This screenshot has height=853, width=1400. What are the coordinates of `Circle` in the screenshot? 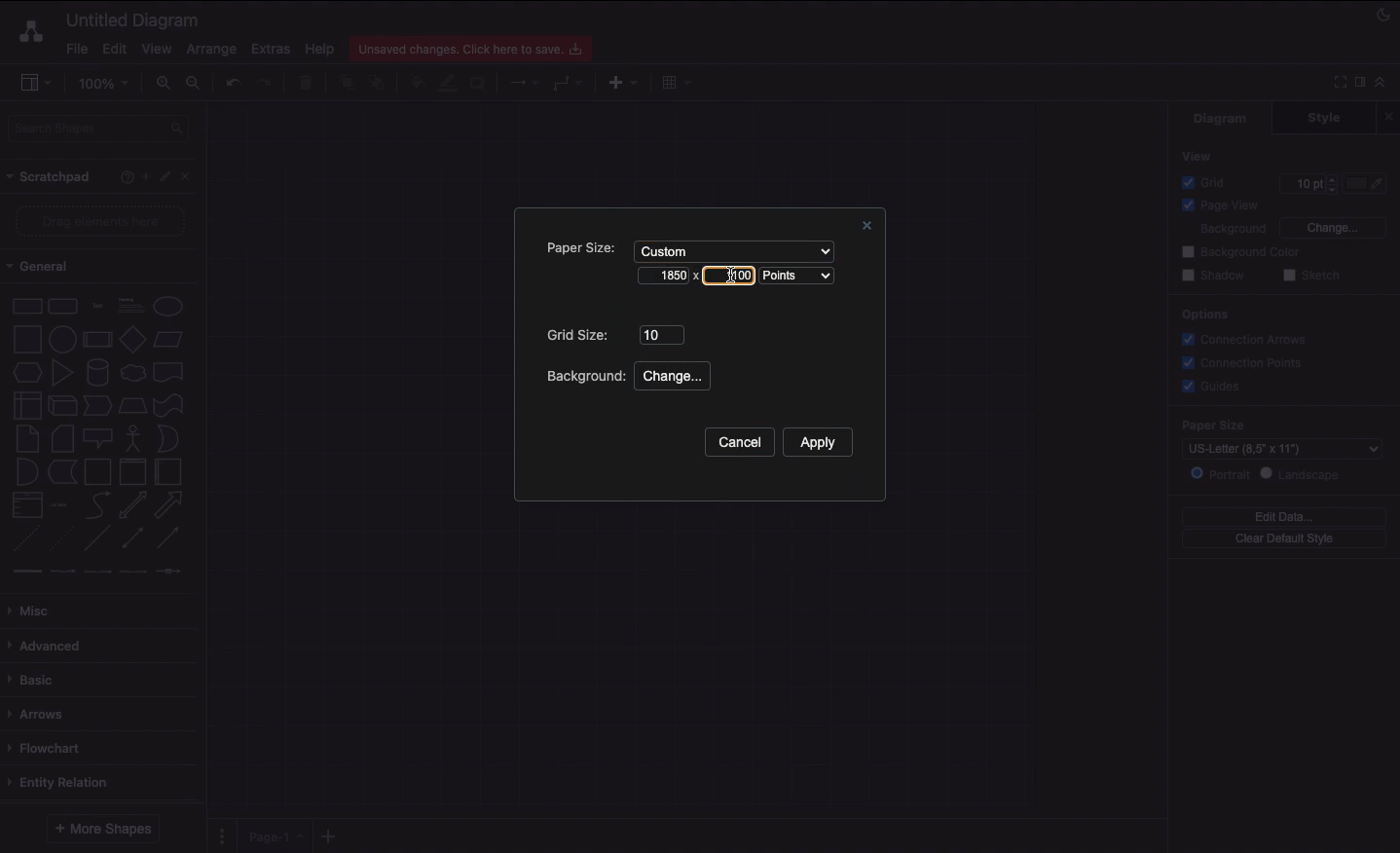 It's located at (62, 337).